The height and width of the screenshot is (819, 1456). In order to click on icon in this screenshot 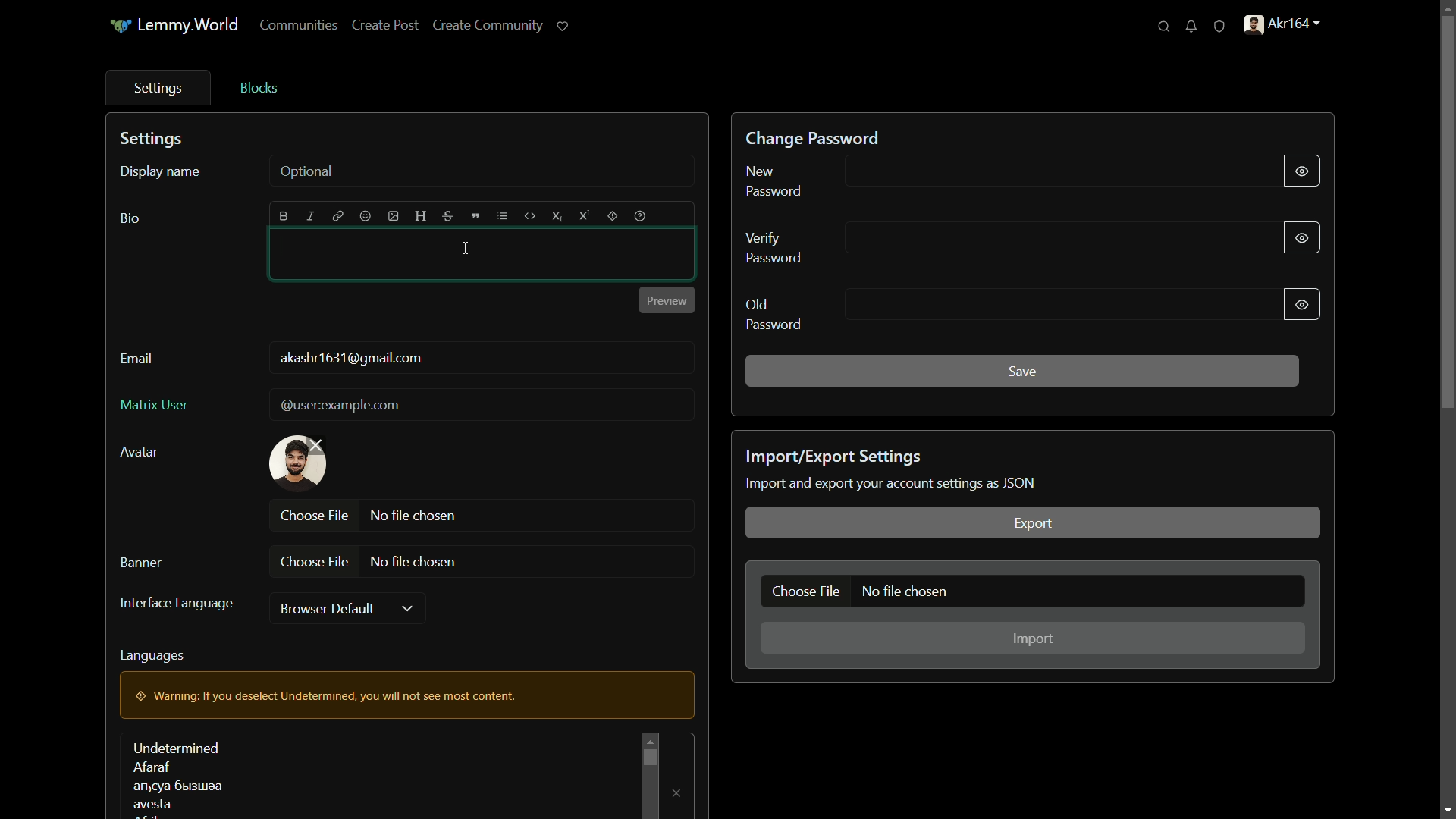, I will do `click(120, 26)`.